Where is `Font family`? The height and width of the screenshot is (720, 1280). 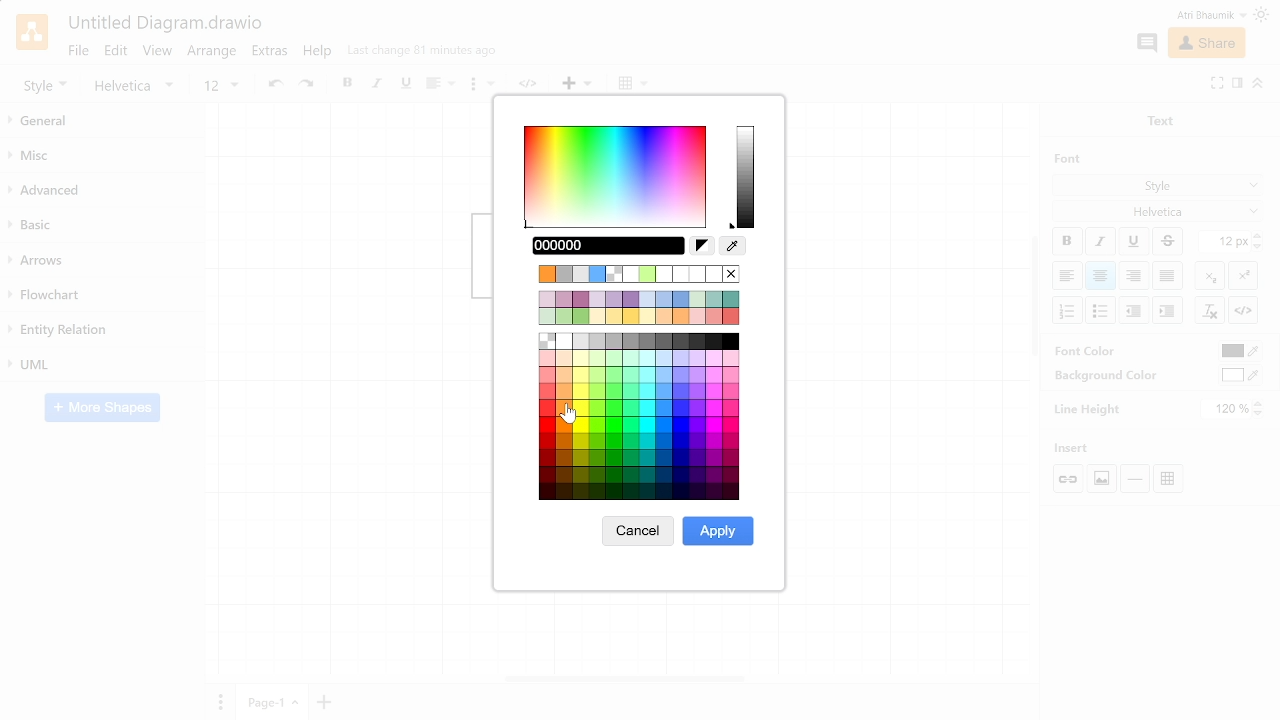 Font family is located at coordinates (1159, 210).